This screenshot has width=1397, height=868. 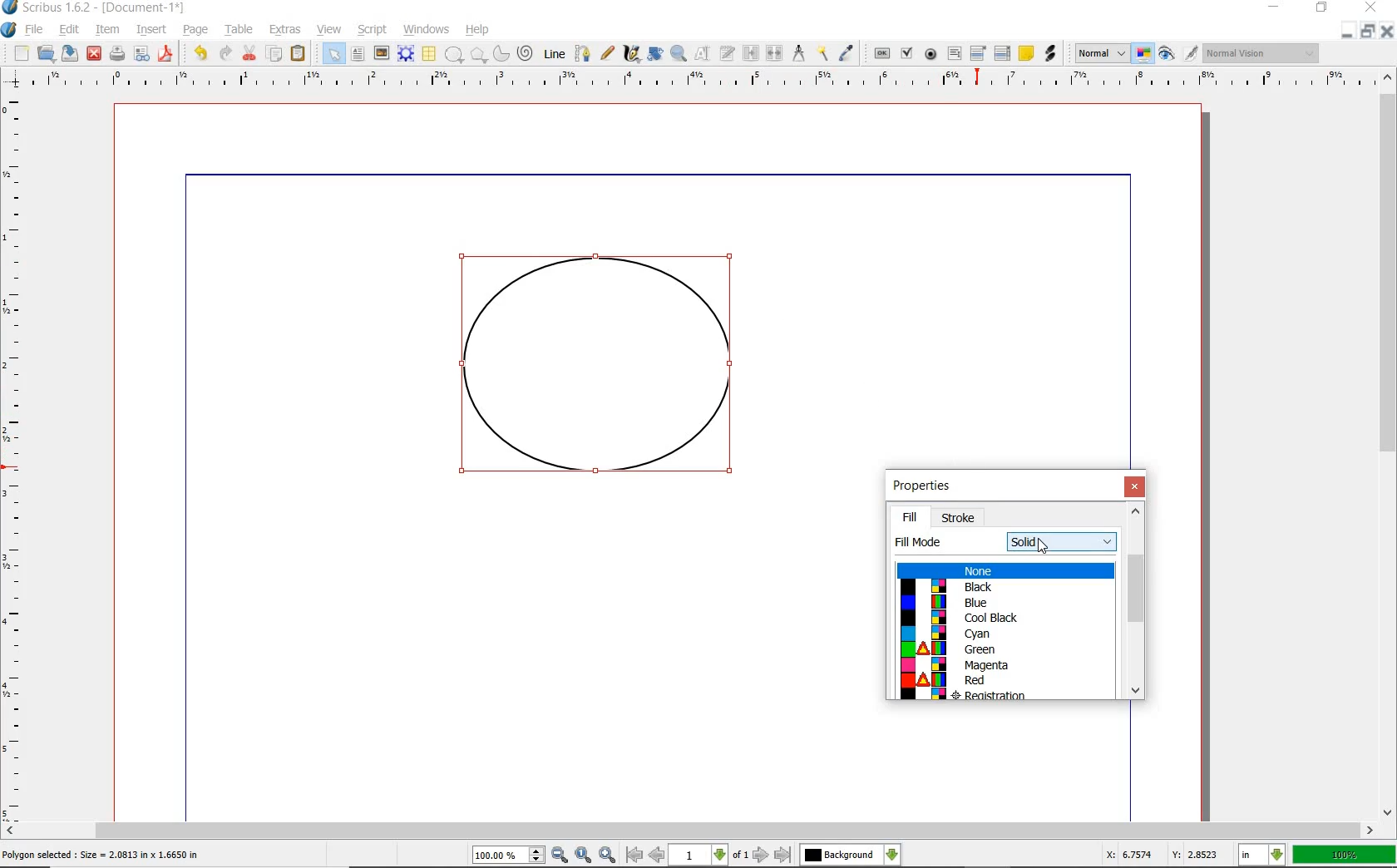 I want to click on PASTE, so click(x=298, y=55).